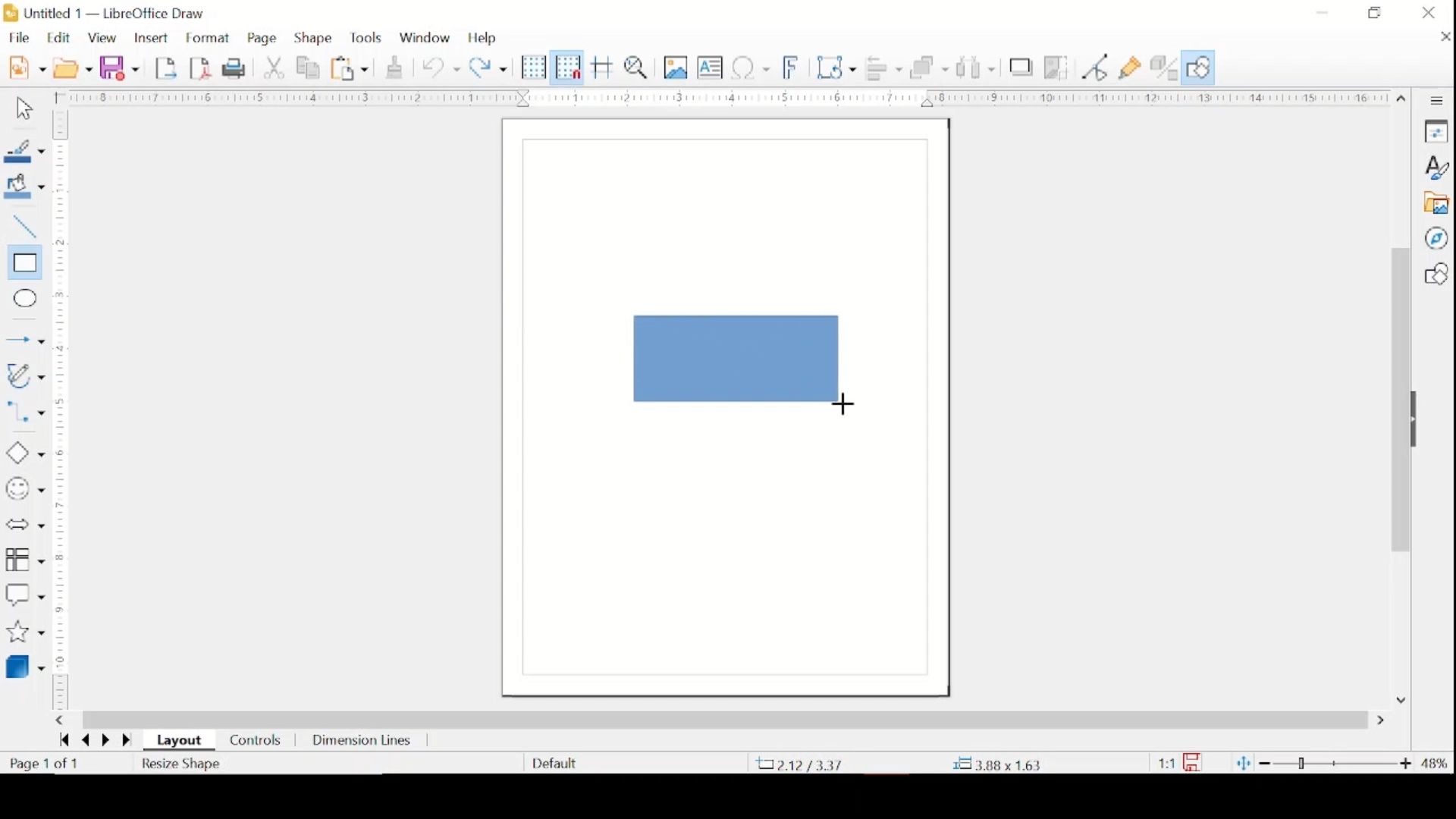 This screenshot has width=1456, height=819. Describe the element at coordinates (25, 560) in the screenshot. I see `flowchart` at that location.